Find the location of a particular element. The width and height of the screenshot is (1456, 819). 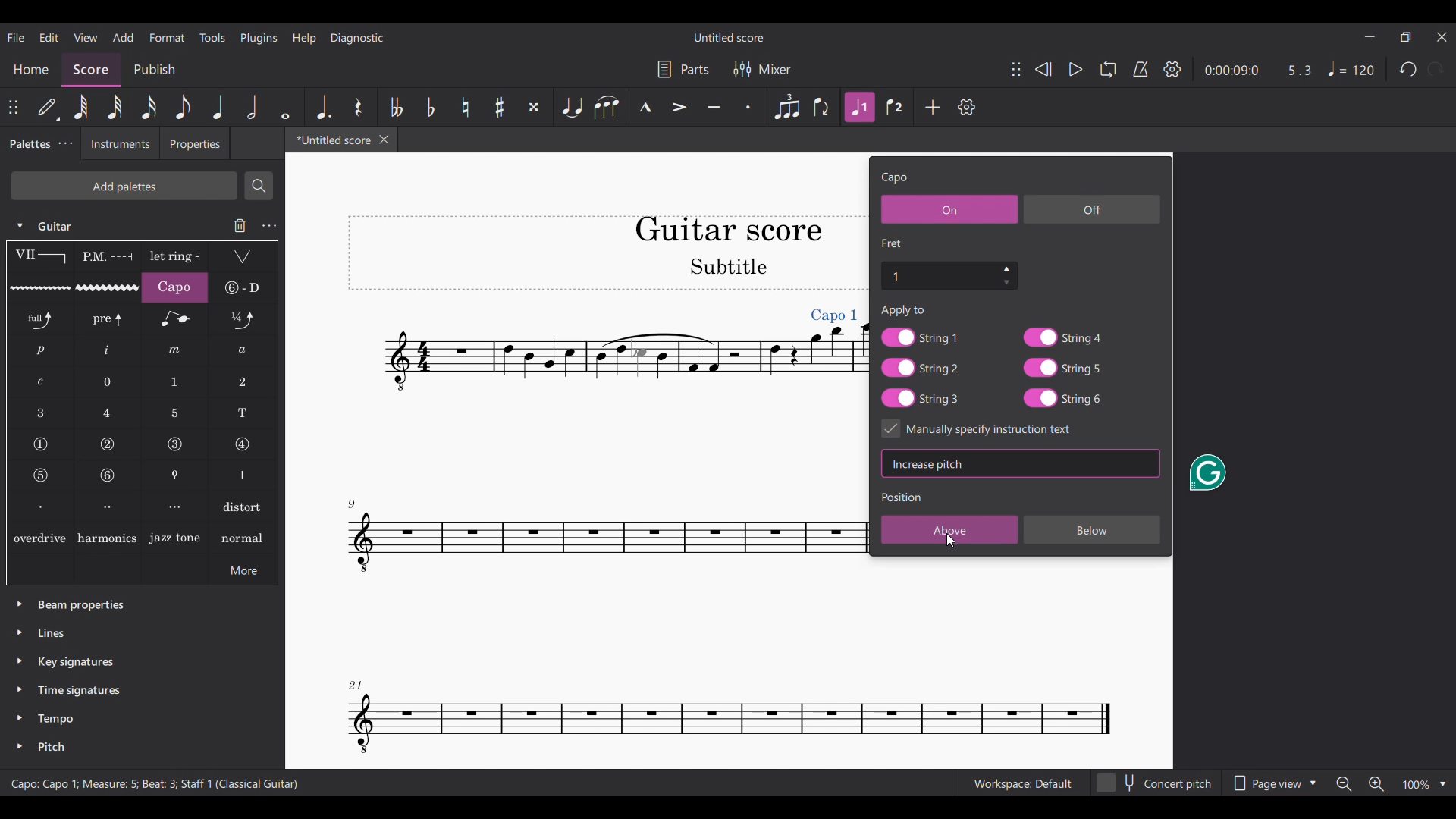

Click to expand pitch palette is located at coordinates (20, 746).